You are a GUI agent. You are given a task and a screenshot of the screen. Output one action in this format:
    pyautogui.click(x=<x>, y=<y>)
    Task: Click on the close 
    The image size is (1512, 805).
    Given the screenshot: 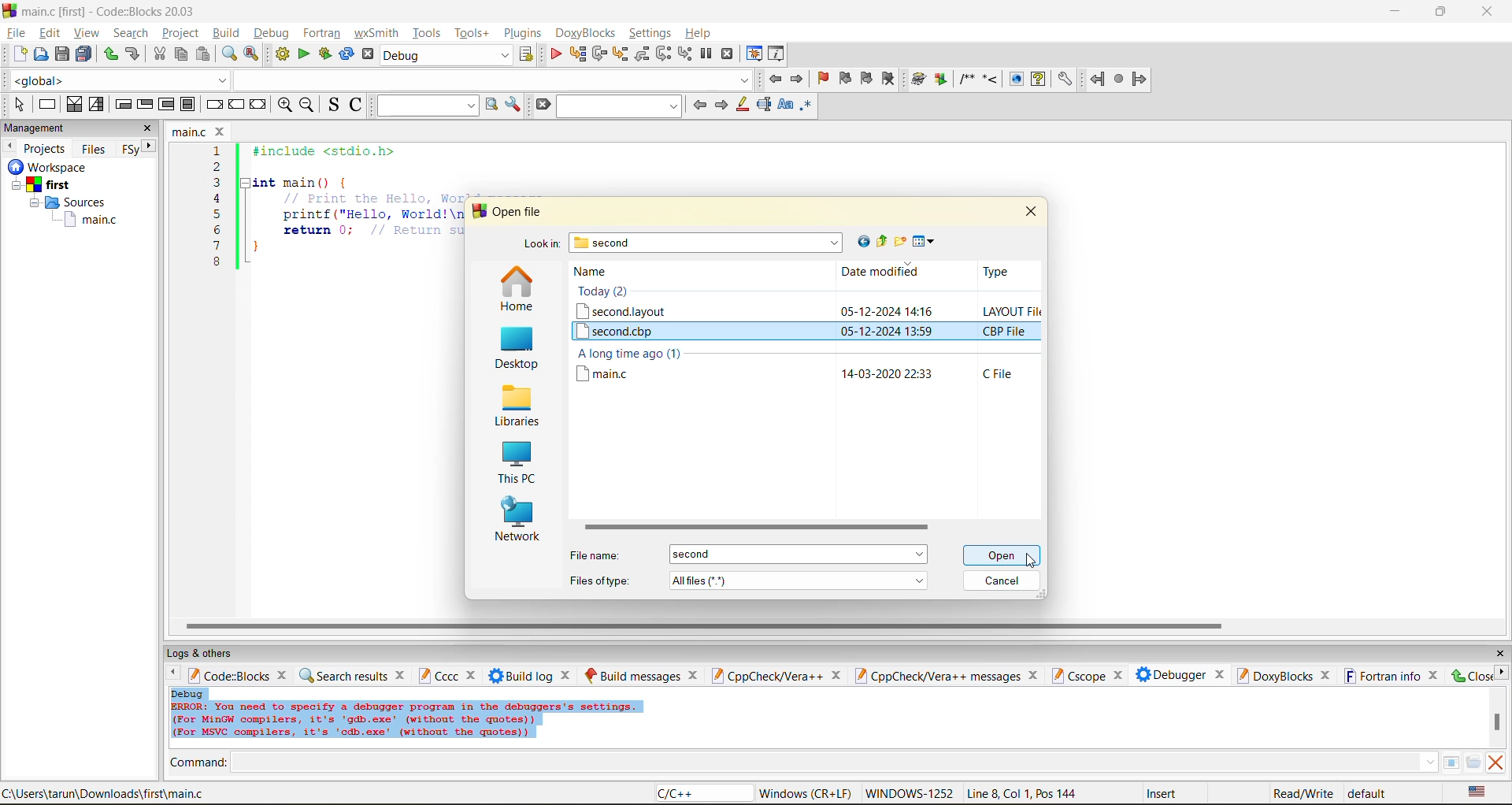 What is the action you would take?
    pyautogui.click(x=1489, y=12)
    